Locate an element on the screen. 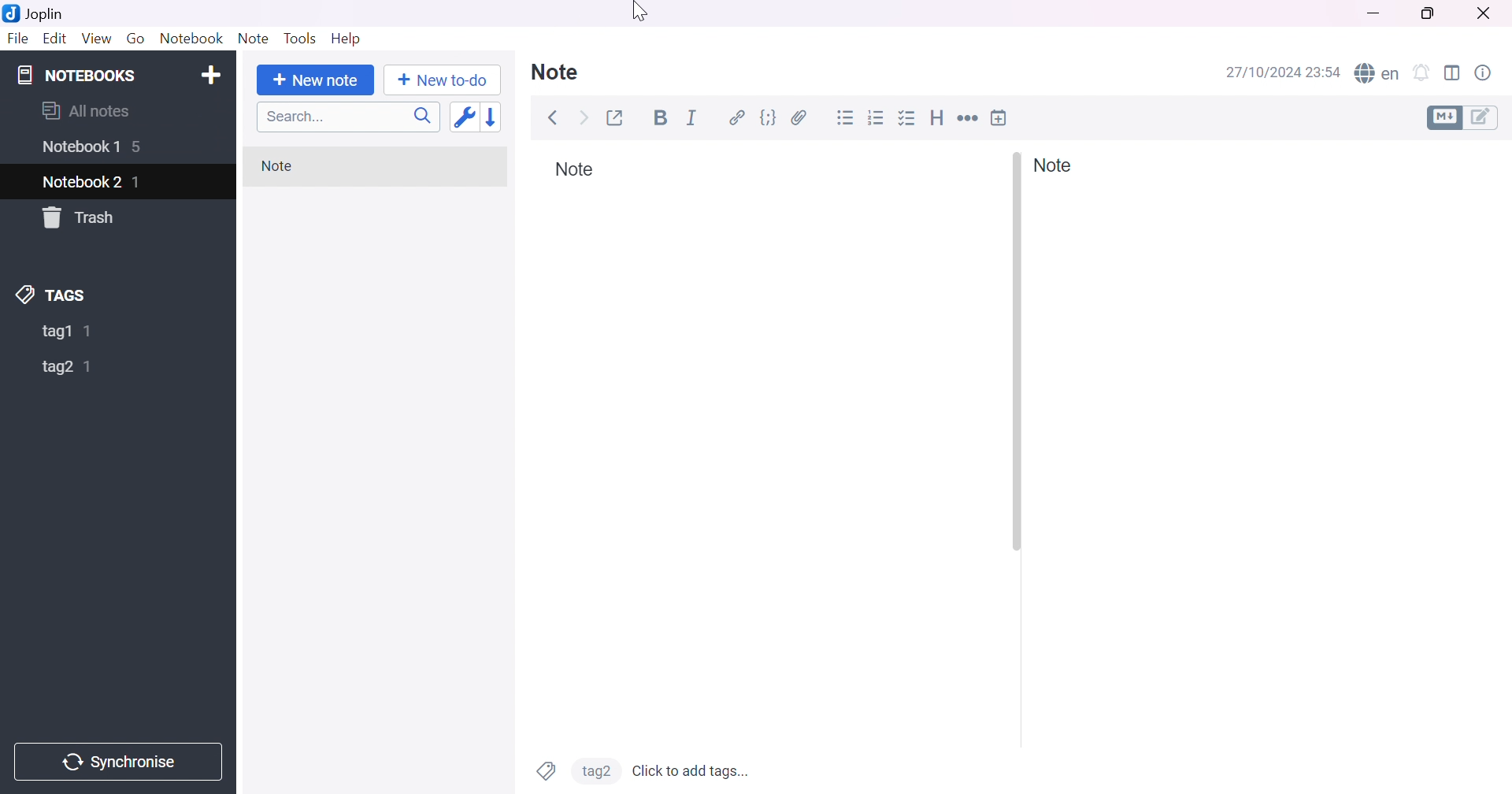 This screenshot has width=1512, height=794. Close is located at coordinates (1481, 12).